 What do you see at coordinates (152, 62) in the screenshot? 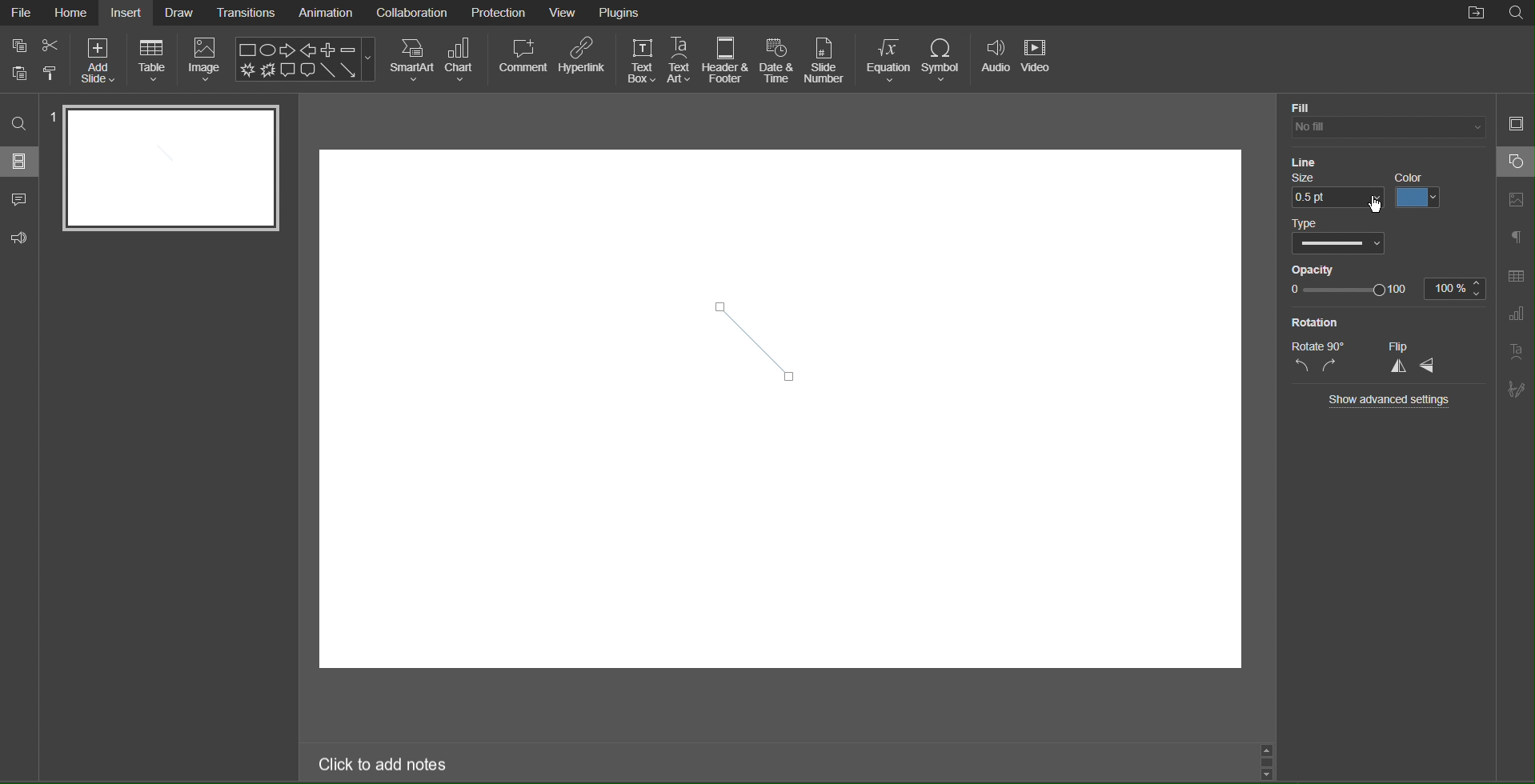
I see `Table` at bounding box center [152, 62].